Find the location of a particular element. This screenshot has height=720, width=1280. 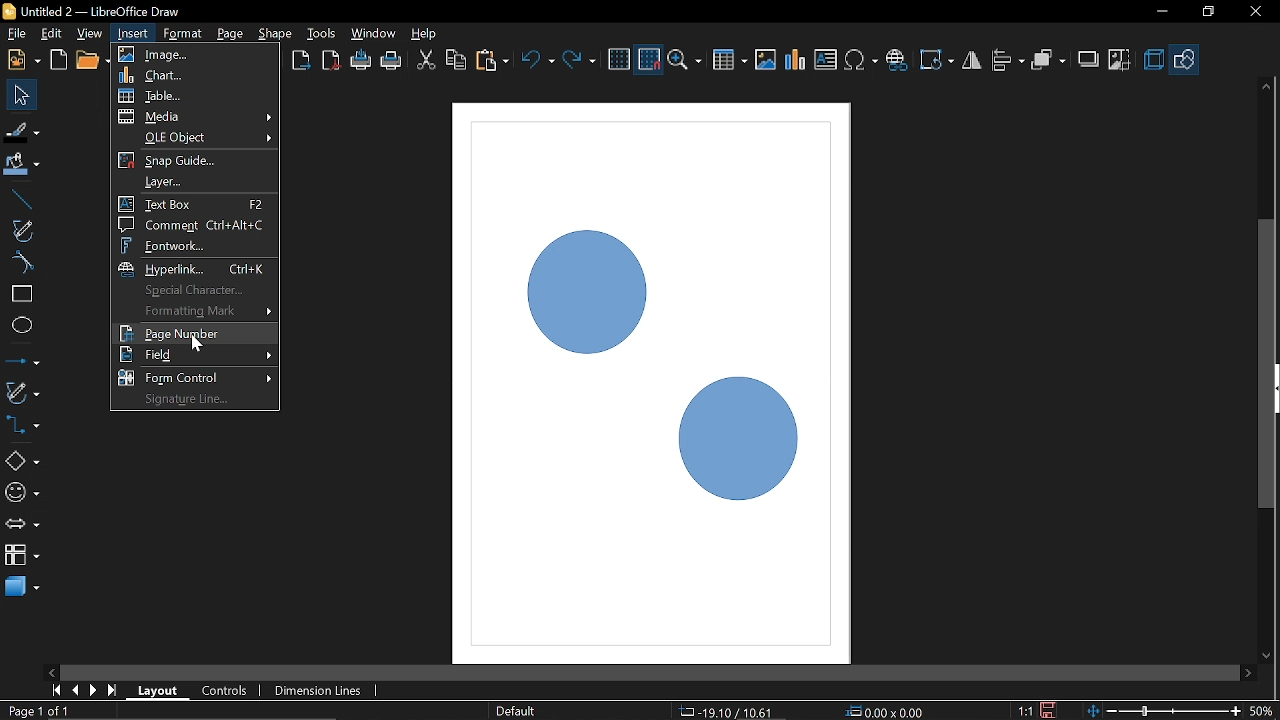

Align is located at coordinates (1009, 61).